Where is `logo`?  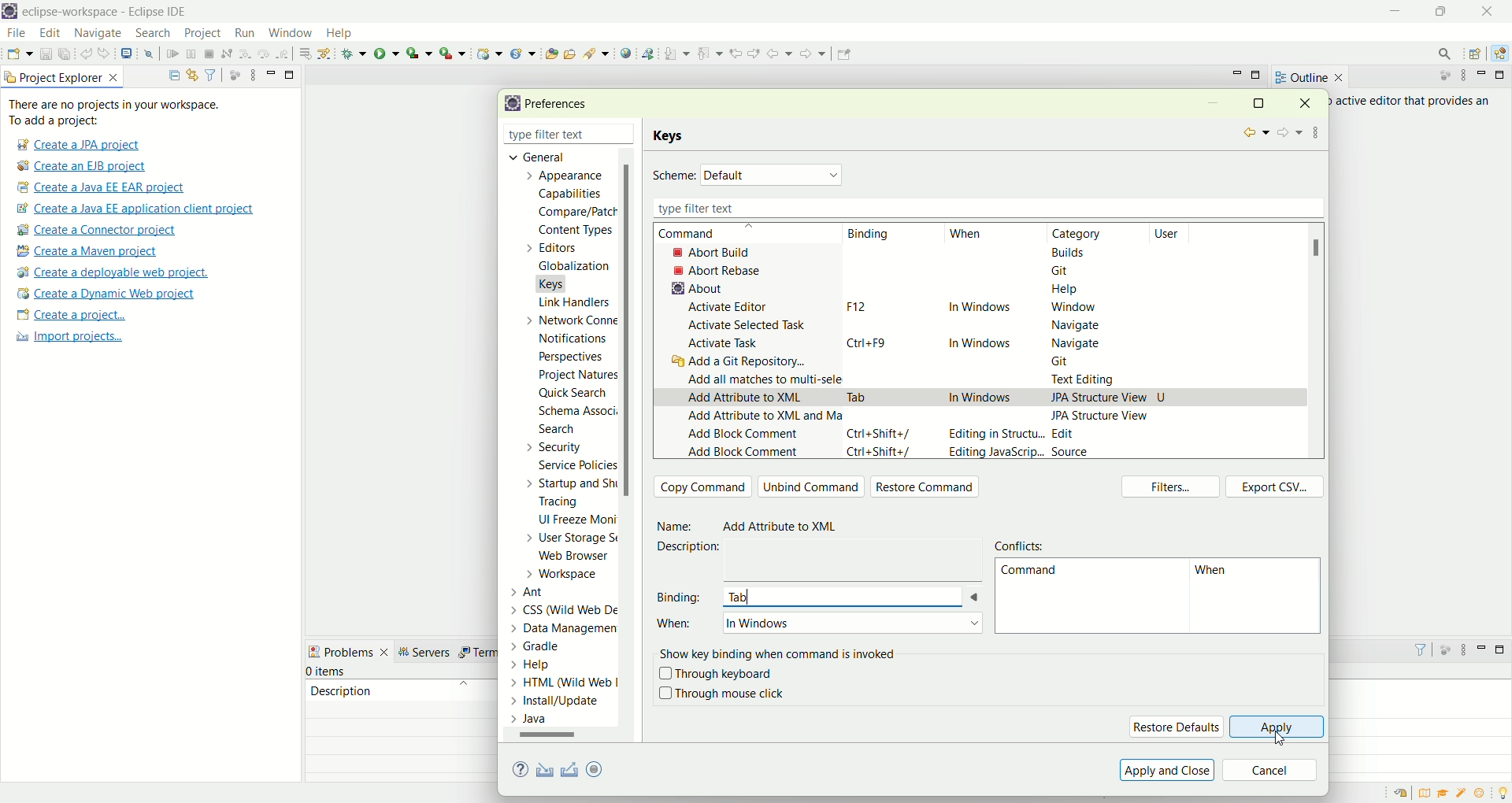 logo is located at coordinates (9, 13).